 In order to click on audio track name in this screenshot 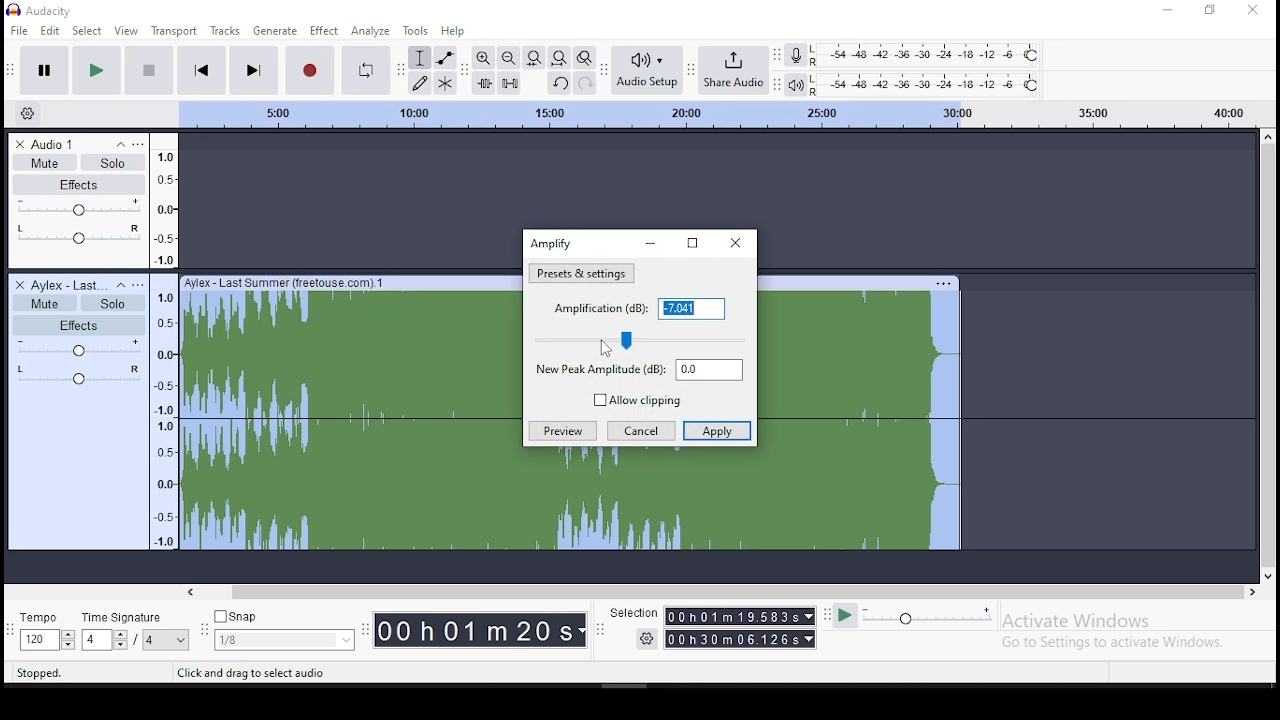, I will do `click(69, 284)`.